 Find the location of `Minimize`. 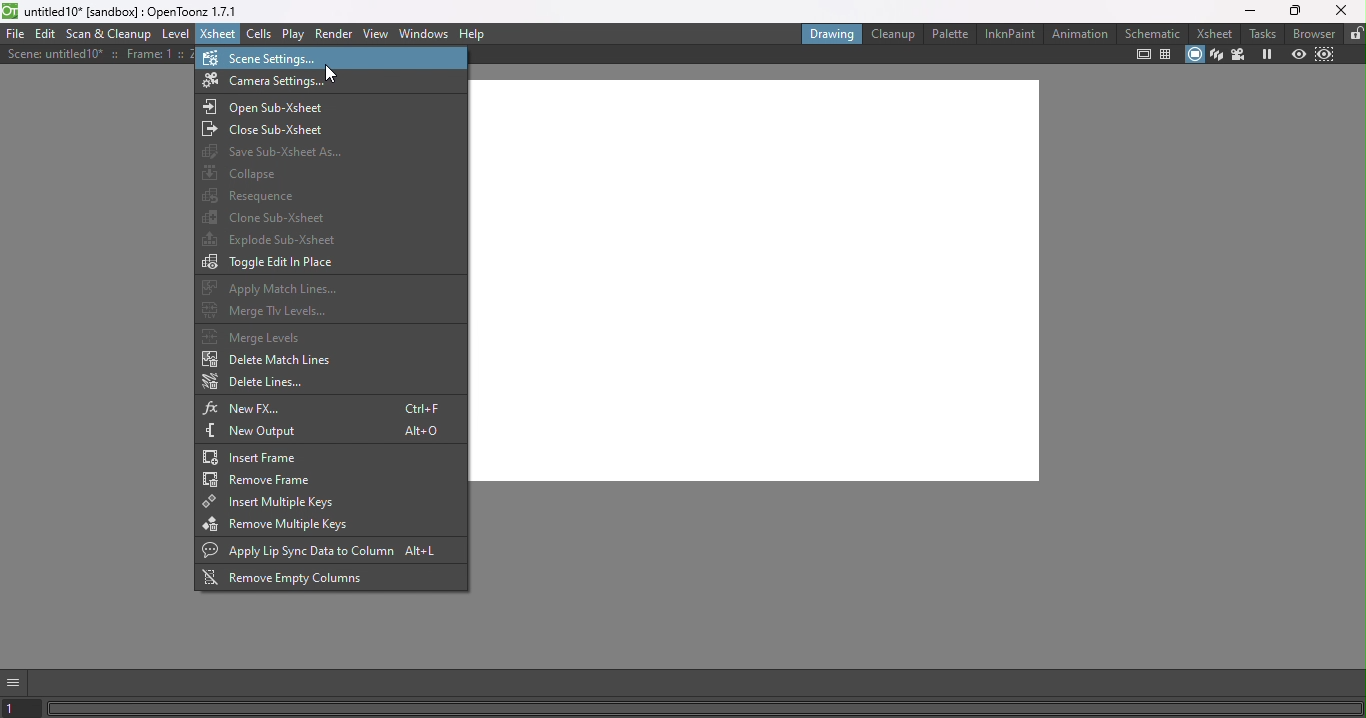

Minimize is located at coordinates (1244, 13).